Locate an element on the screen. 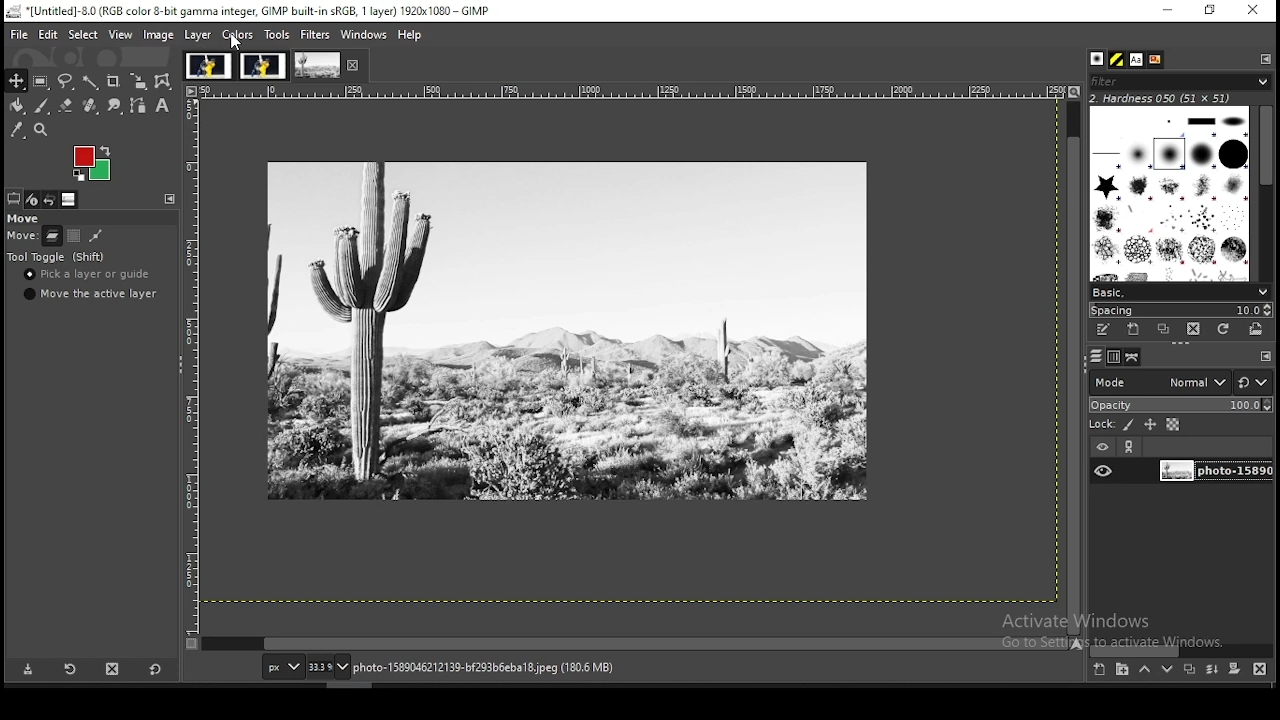 The height and width of the screenshot is (720, 1280). move layers is located at coordinates (52, 235).